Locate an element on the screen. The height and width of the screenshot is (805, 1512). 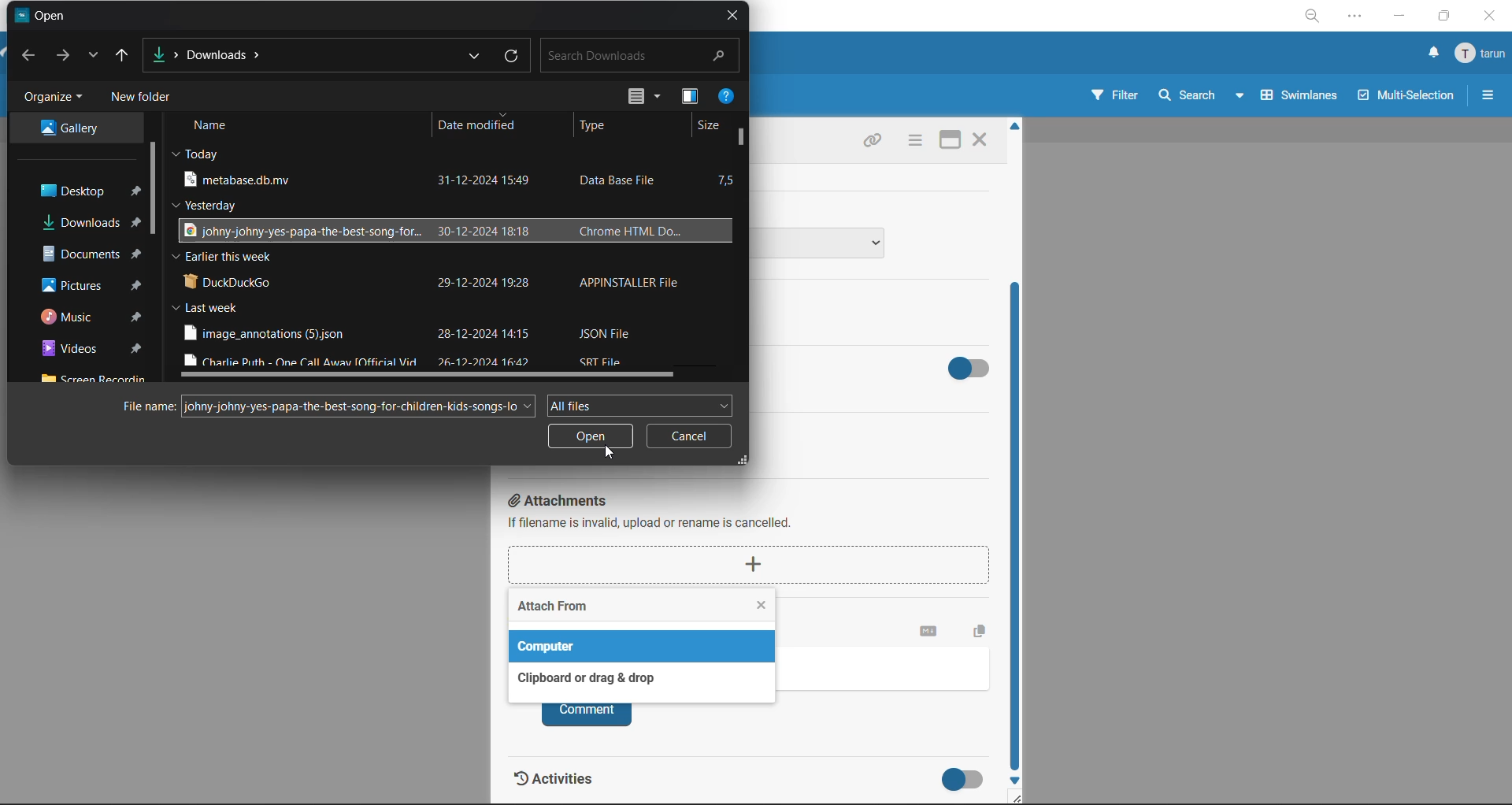
zoom is located at coordinates (1314, 16).